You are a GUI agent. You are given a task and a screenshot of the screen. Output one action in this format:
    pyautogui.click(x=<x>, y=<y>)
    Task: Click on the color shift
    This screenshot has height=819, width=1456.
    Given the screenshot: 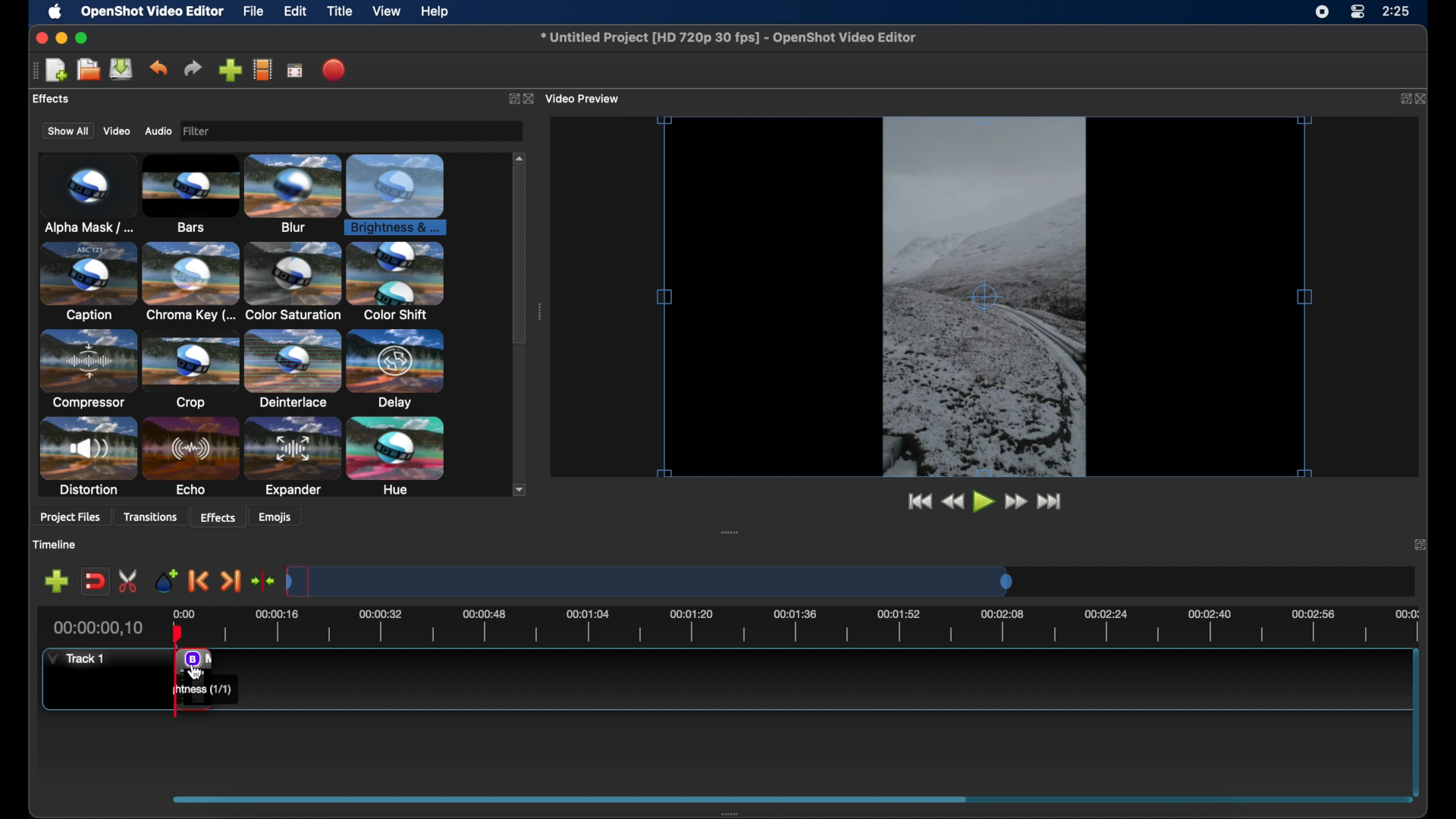 What is the action you would take?
    pyautogui.click(x=396, y=281)
    